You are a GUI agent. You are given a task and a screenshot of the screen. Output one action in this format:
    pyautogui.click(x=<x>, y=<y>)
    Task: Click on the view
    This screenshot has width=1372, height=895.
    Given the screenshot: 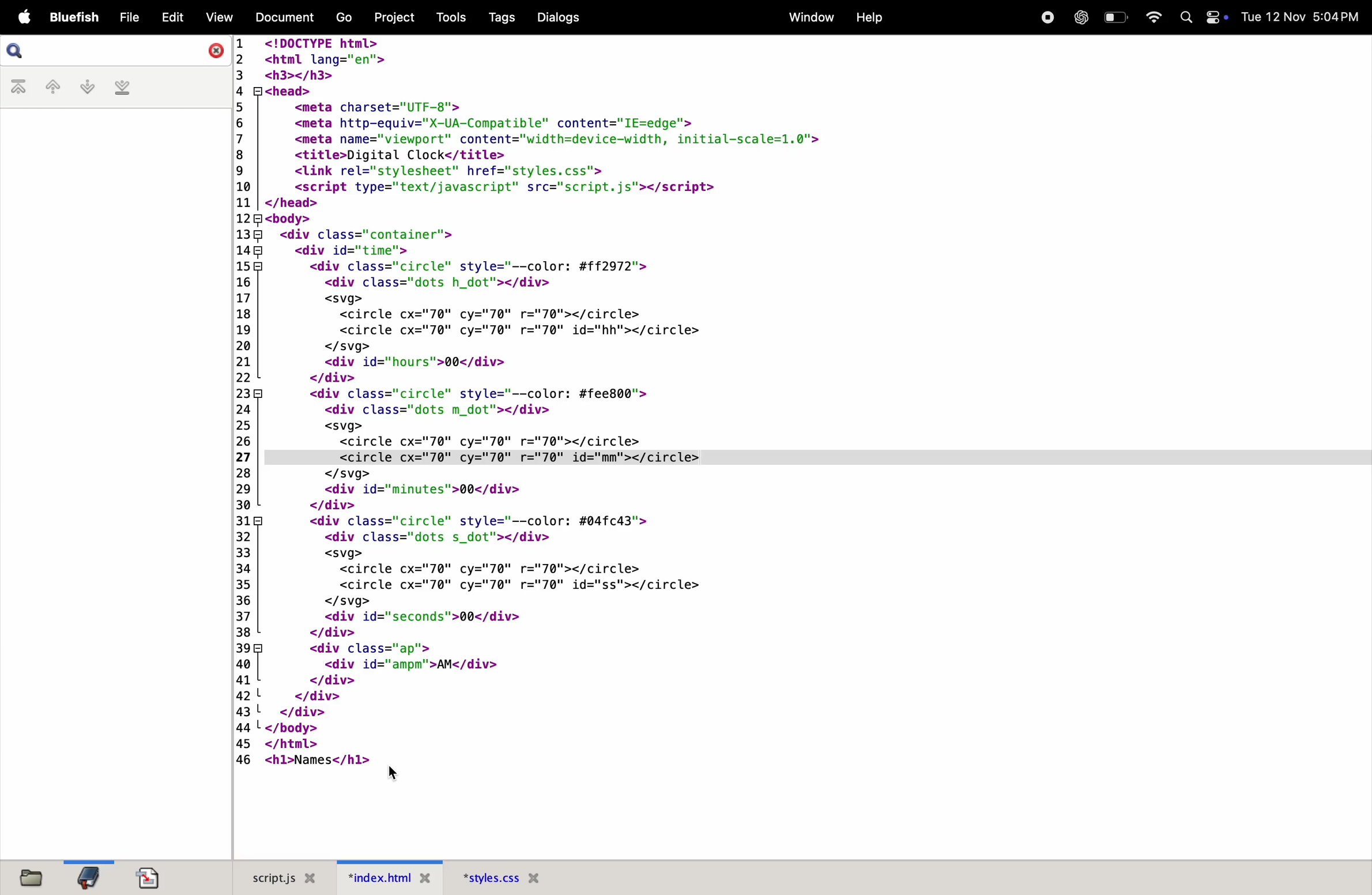 What is the action you would take?
    pyautogui.click(x=218, y=16)
    